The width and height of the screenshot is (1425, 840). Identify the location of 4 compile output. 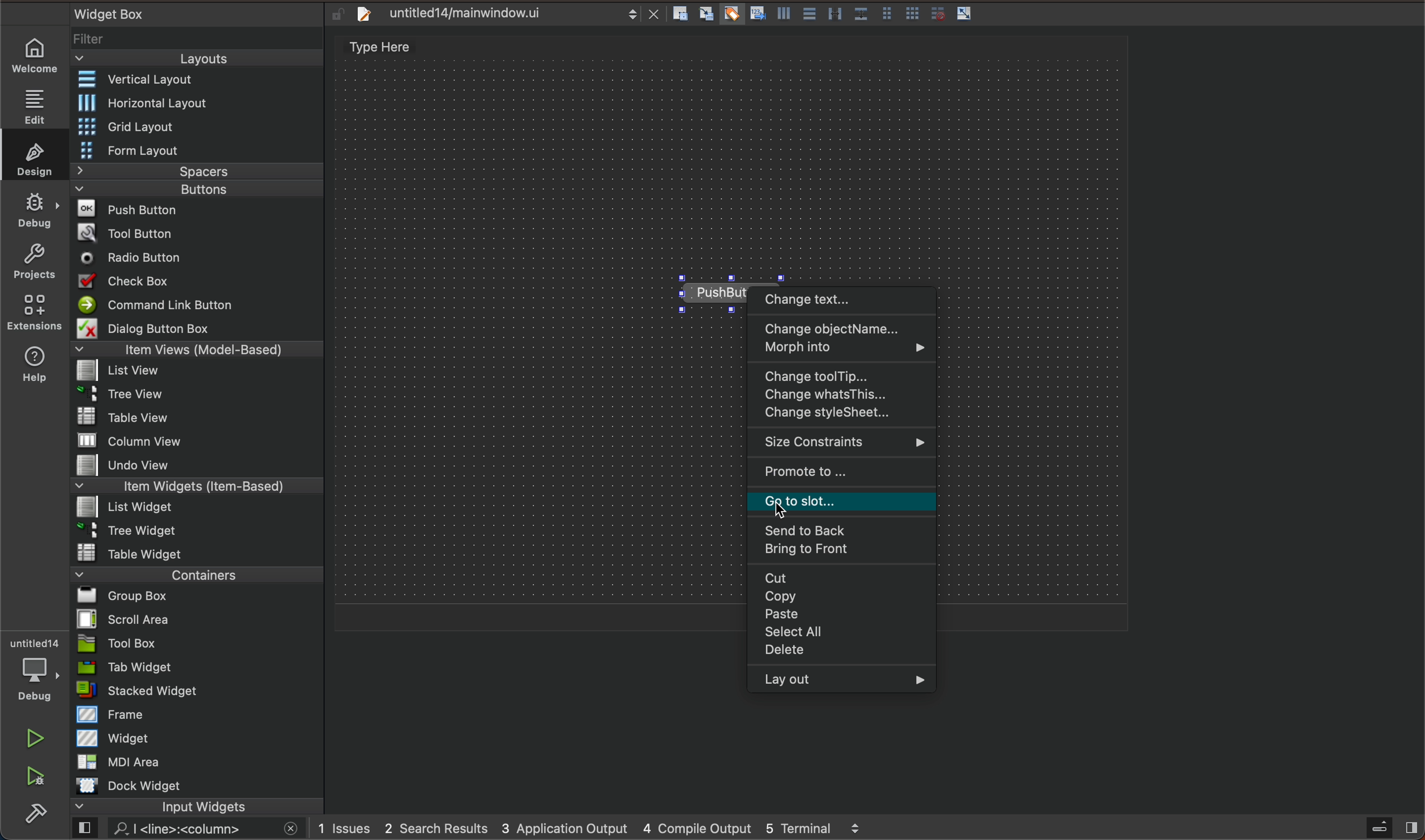
(700, 828).